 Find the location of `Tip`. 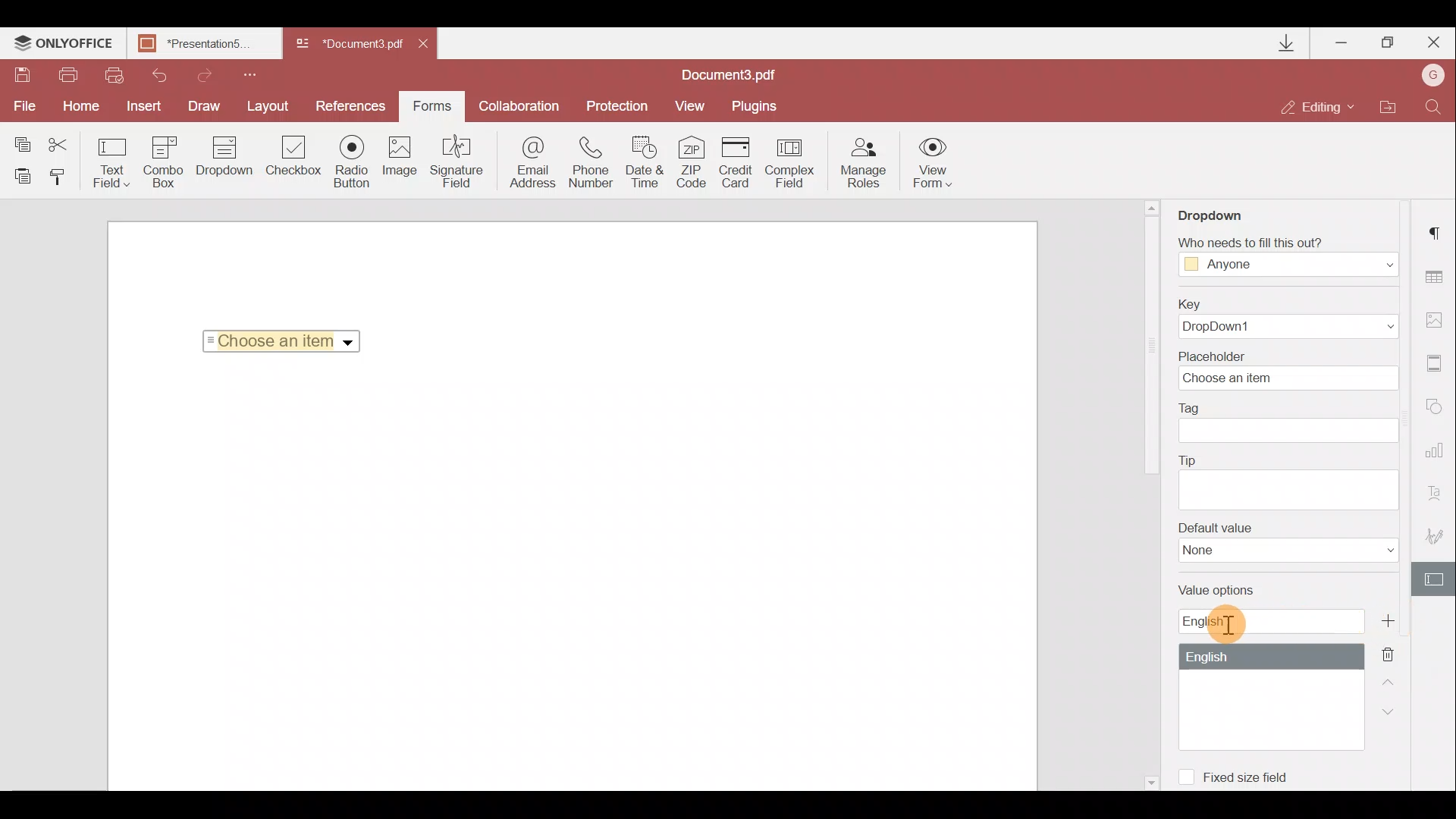

Tip is located at coordinates (1288, 480).